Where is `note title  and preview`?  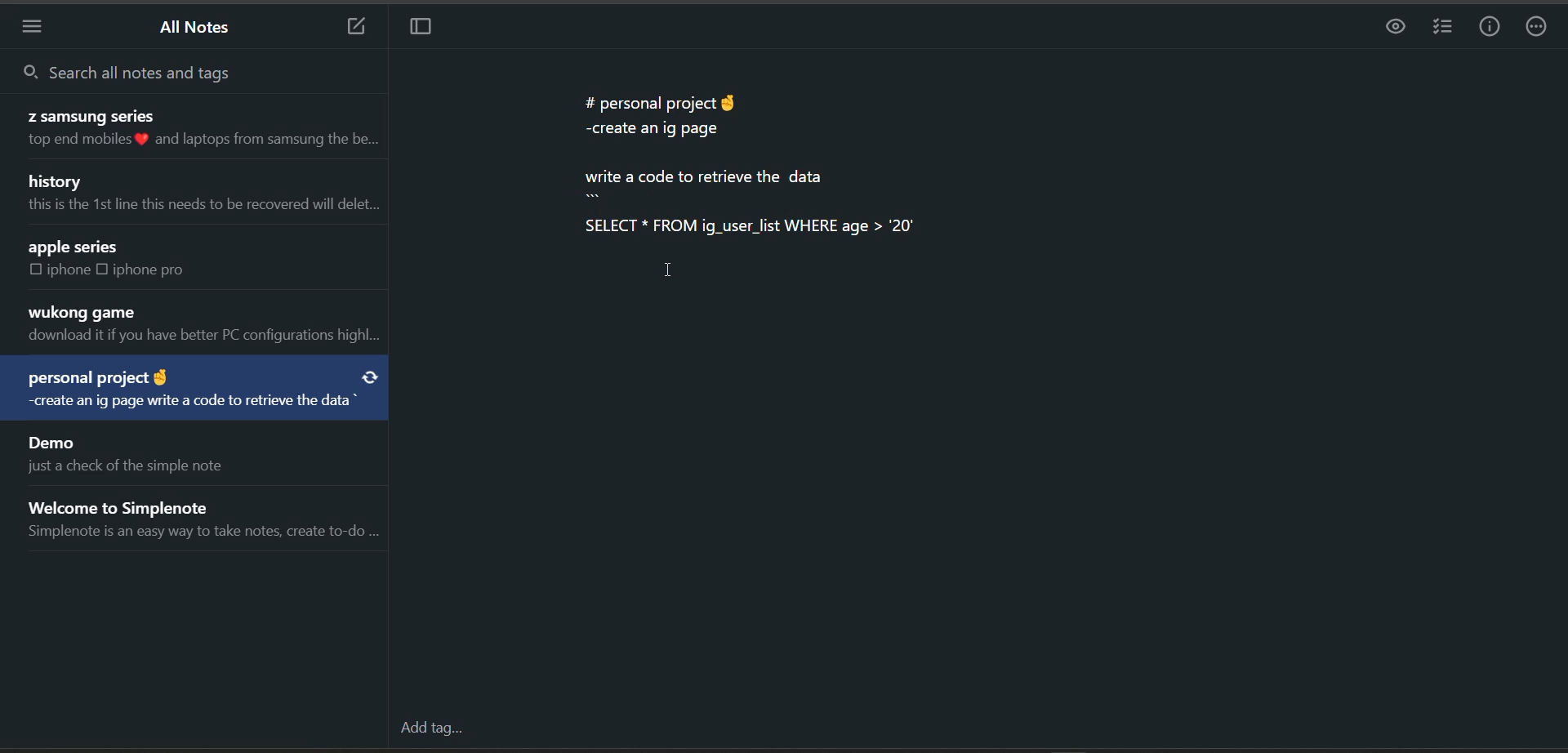
note title  and preview is located at coordinates (201, 325).